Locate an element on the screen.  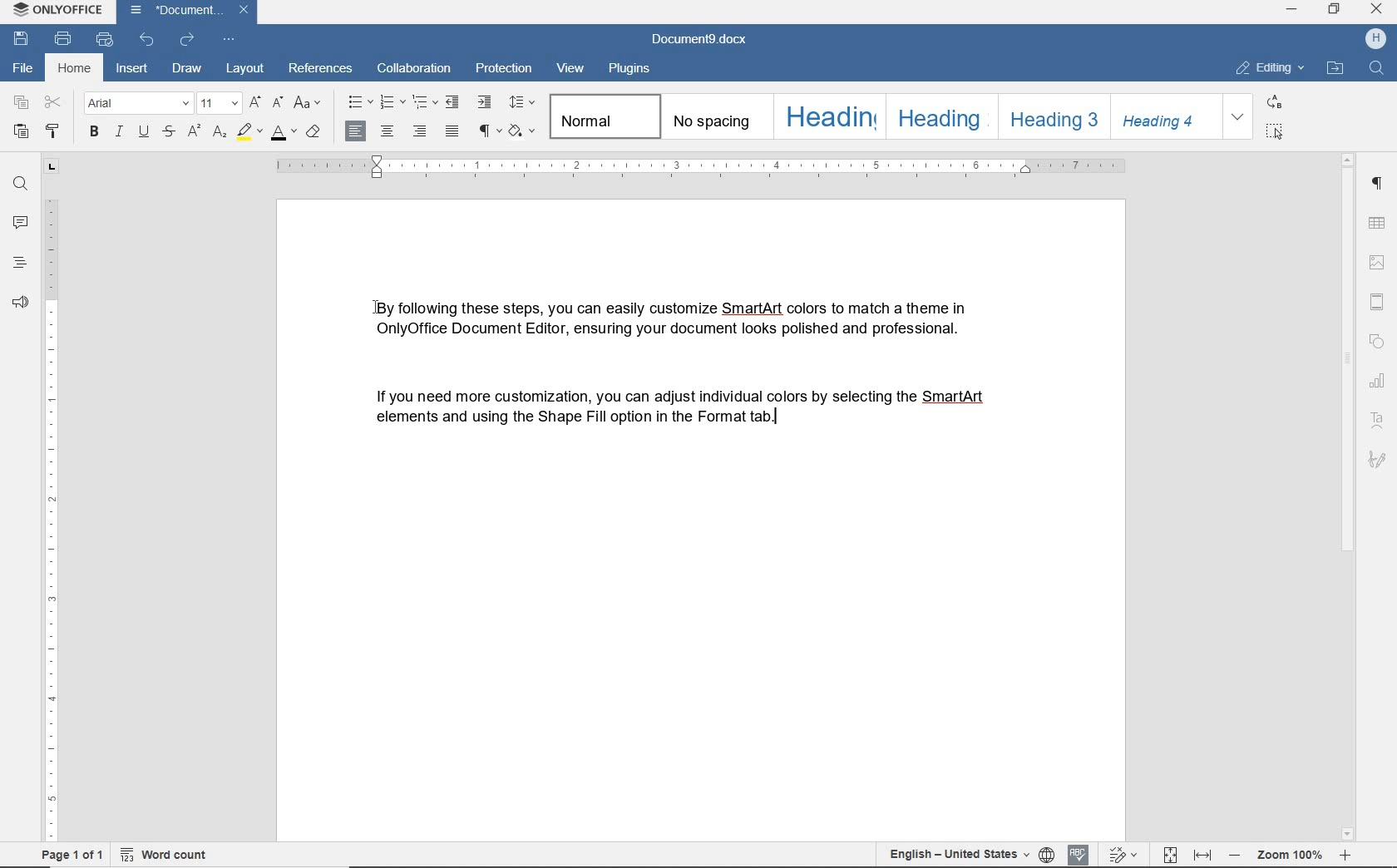
redo is located at coordinates (188, 40).